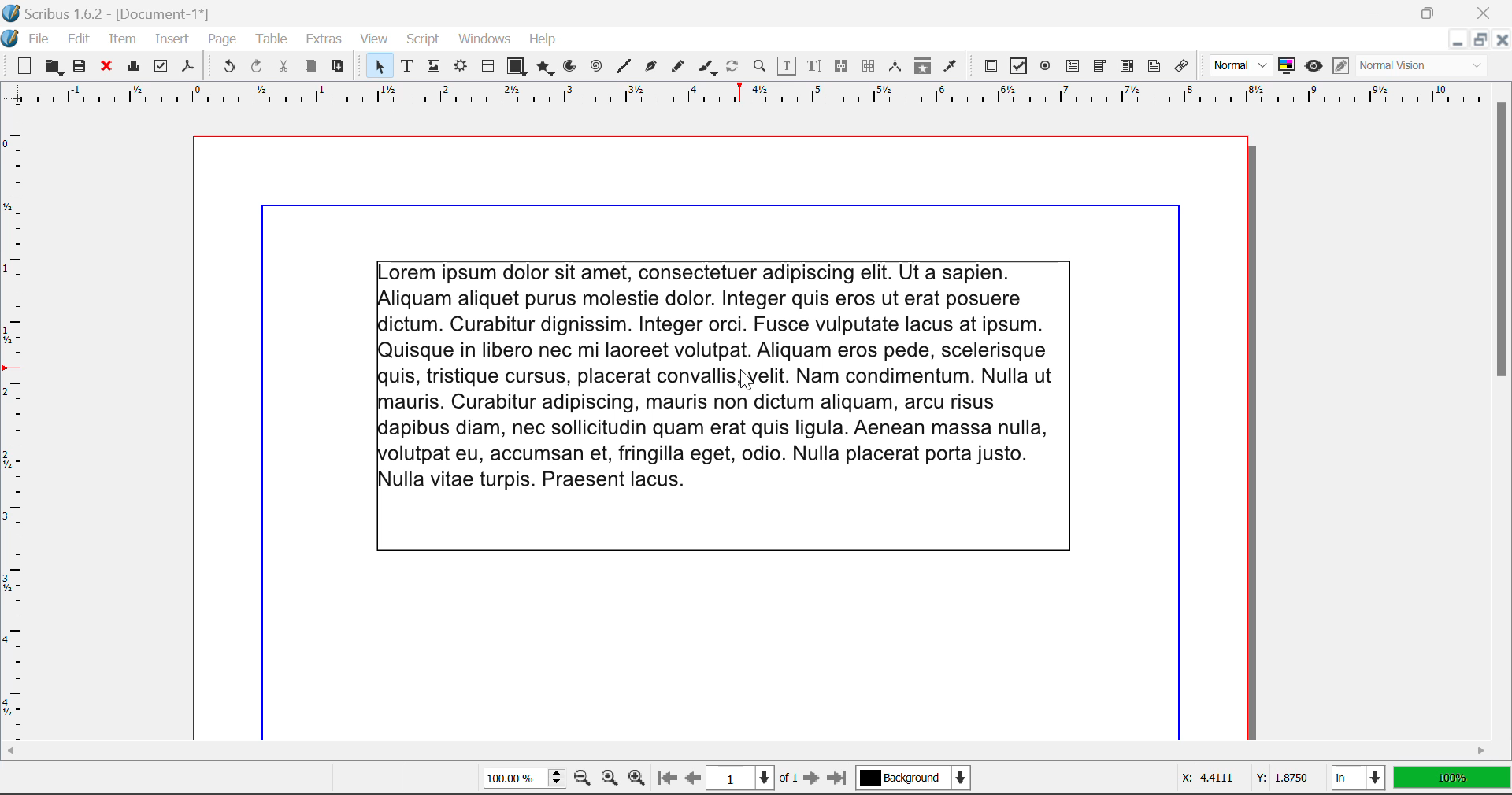 This screenshot has height=795, width=1512. Describe the element at coordinates (524, 780) in the screenshot. I see `Zoom 100%` at that location.